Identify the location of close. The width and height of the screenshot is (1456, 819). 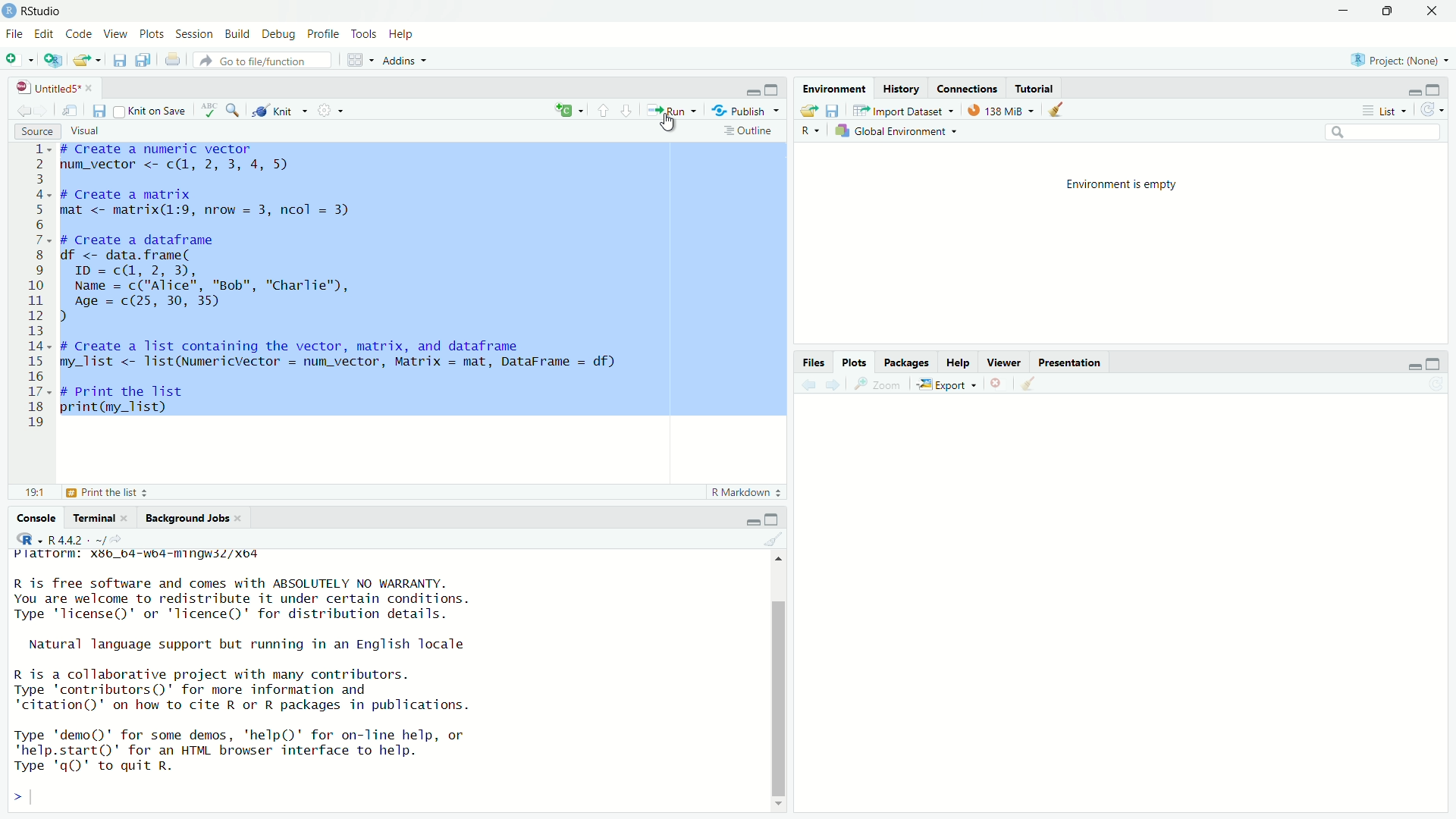
(1003, 384).